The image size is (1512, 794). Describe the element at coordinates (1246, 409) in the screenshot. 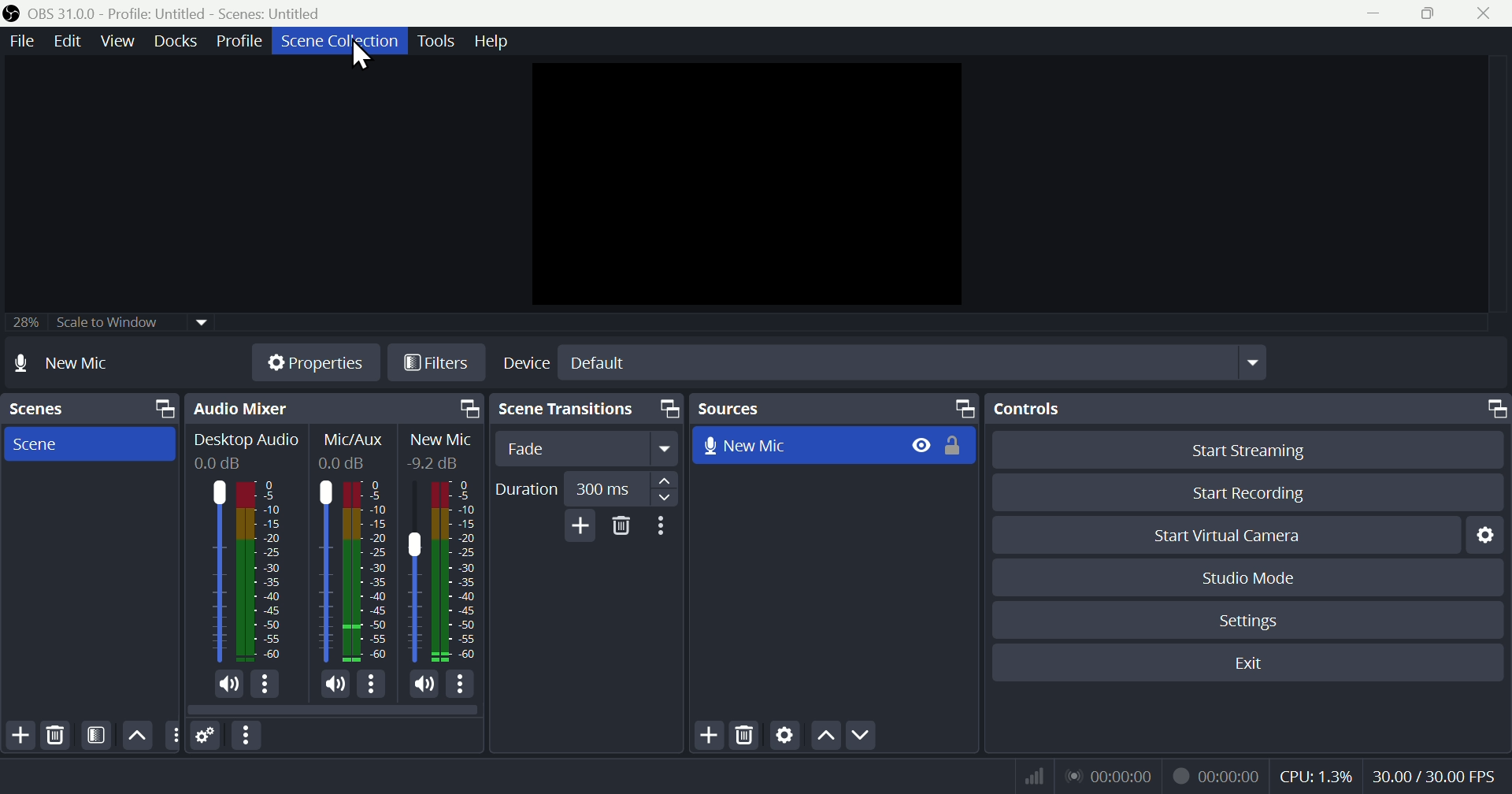

I see `Controls` at that location.